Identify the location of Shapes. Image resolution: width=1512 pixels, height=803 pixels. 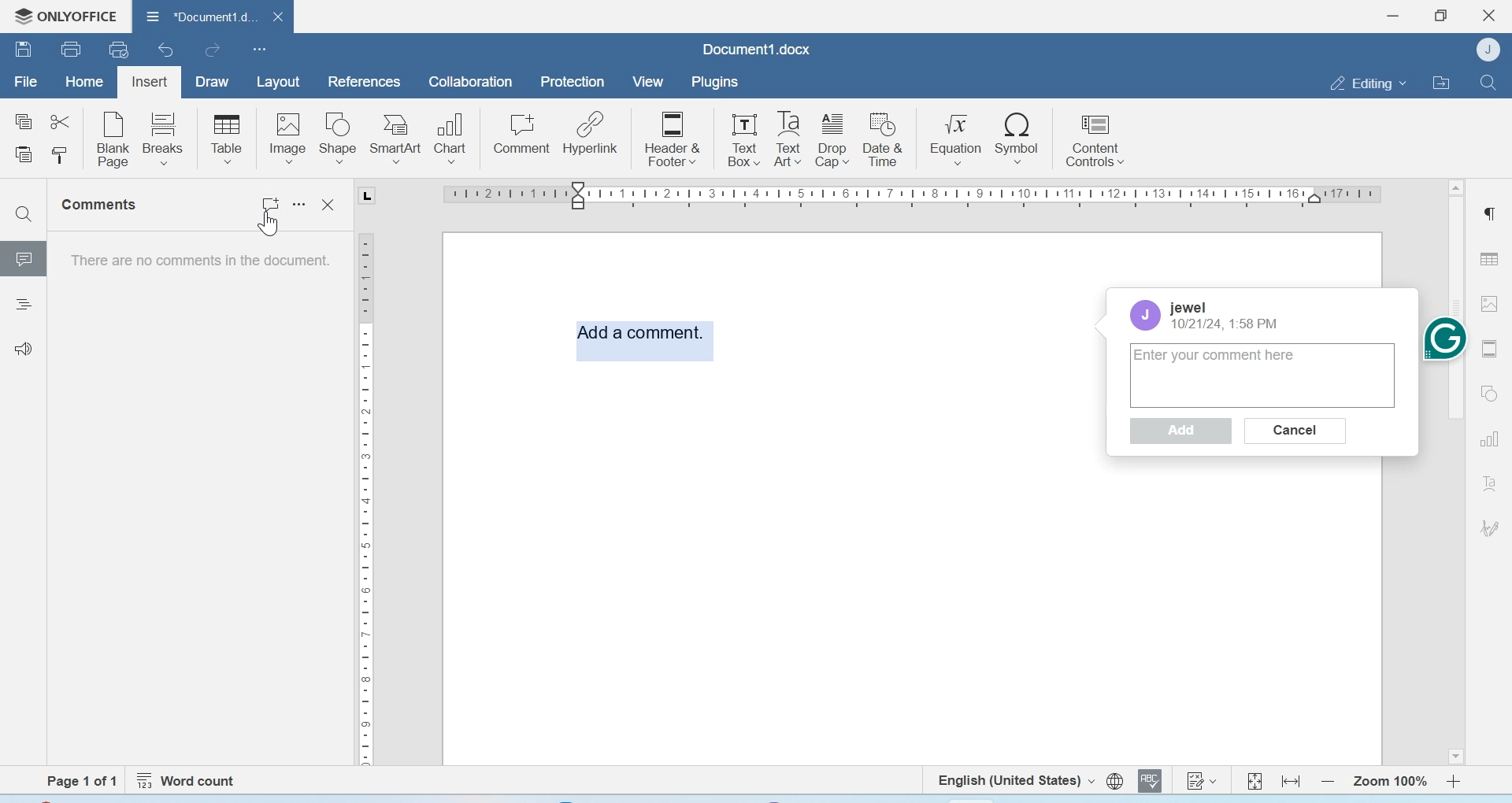
(1492, 392).